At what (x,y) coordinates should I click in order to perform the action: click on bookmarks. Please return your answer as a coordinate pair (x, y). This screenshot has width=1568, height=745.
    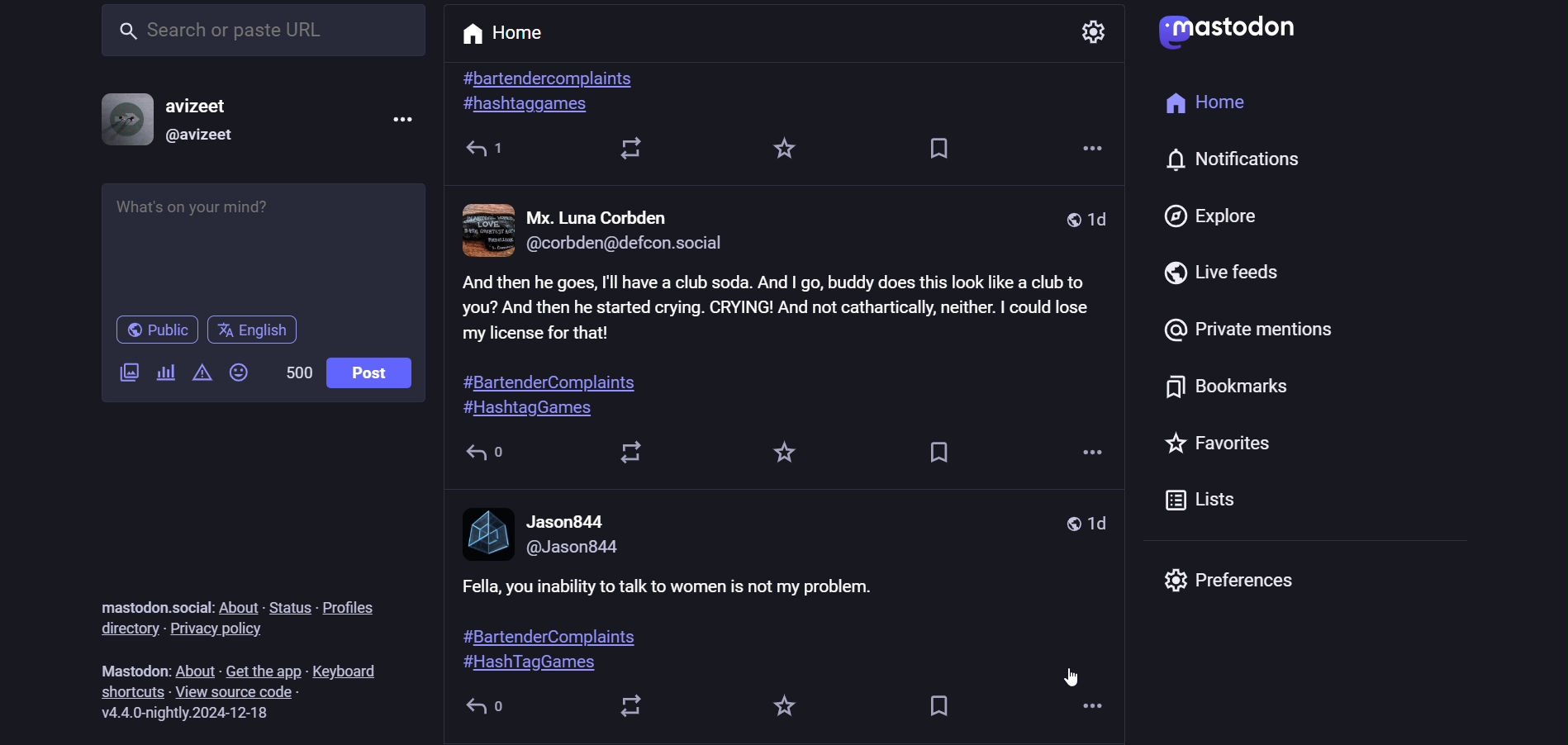
    Looking at the image, I should click on (1231, 391).